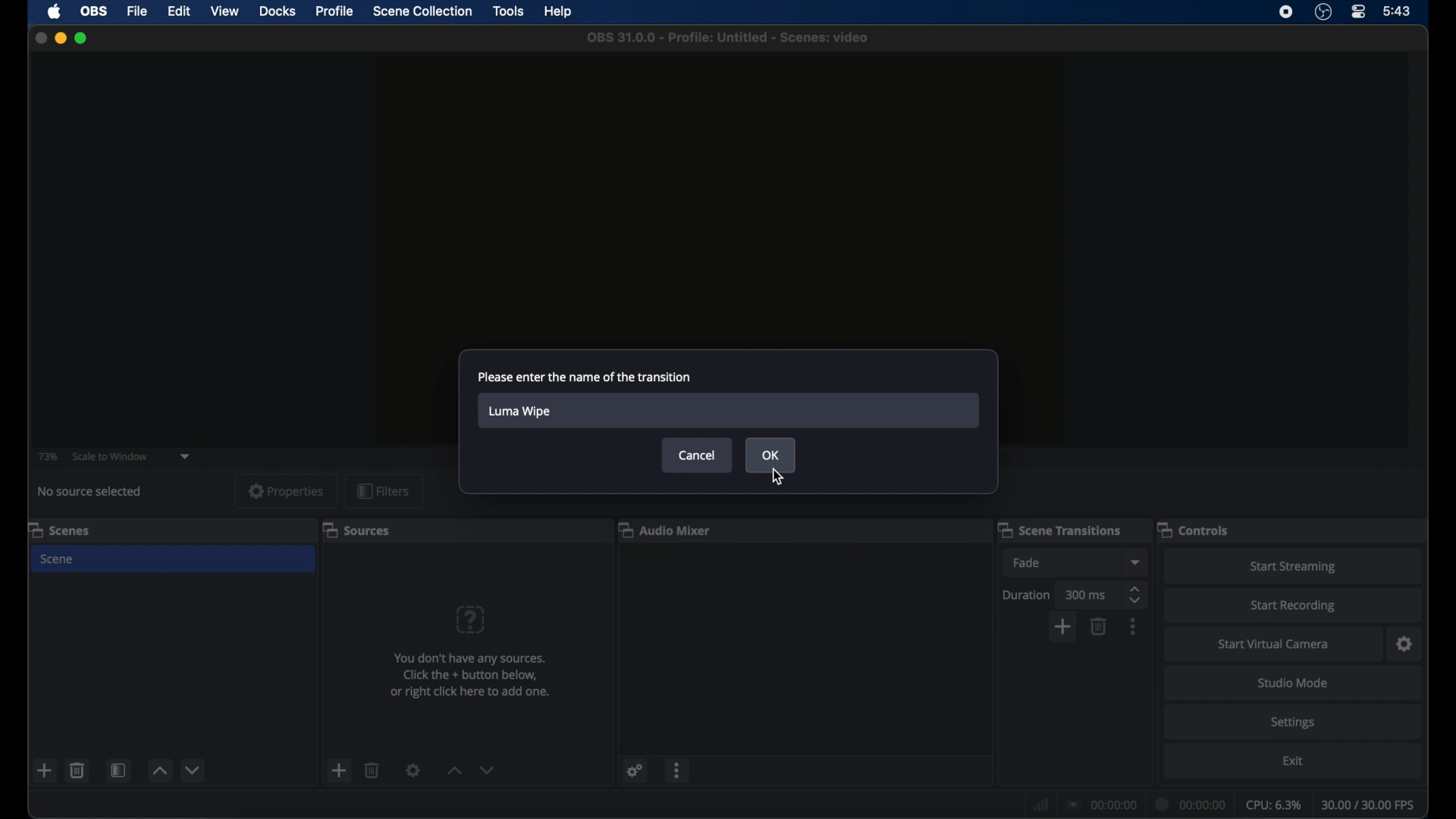  What do you see at coordinates (1272, 805) in the screenshot?
I see `cpu` at bounding box center [1272, 805].